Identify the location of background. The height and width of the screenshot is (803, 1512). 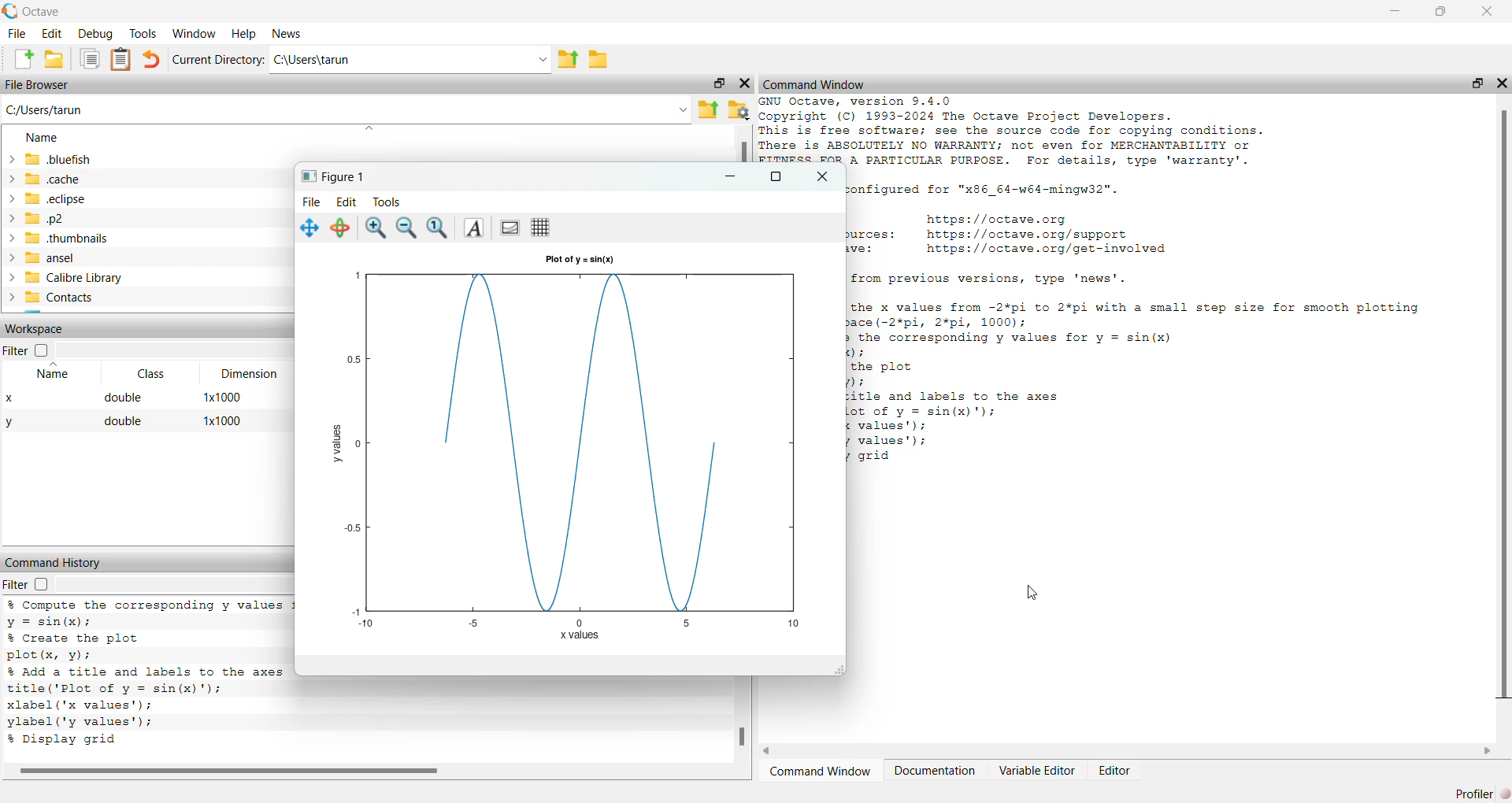
(510, 228).